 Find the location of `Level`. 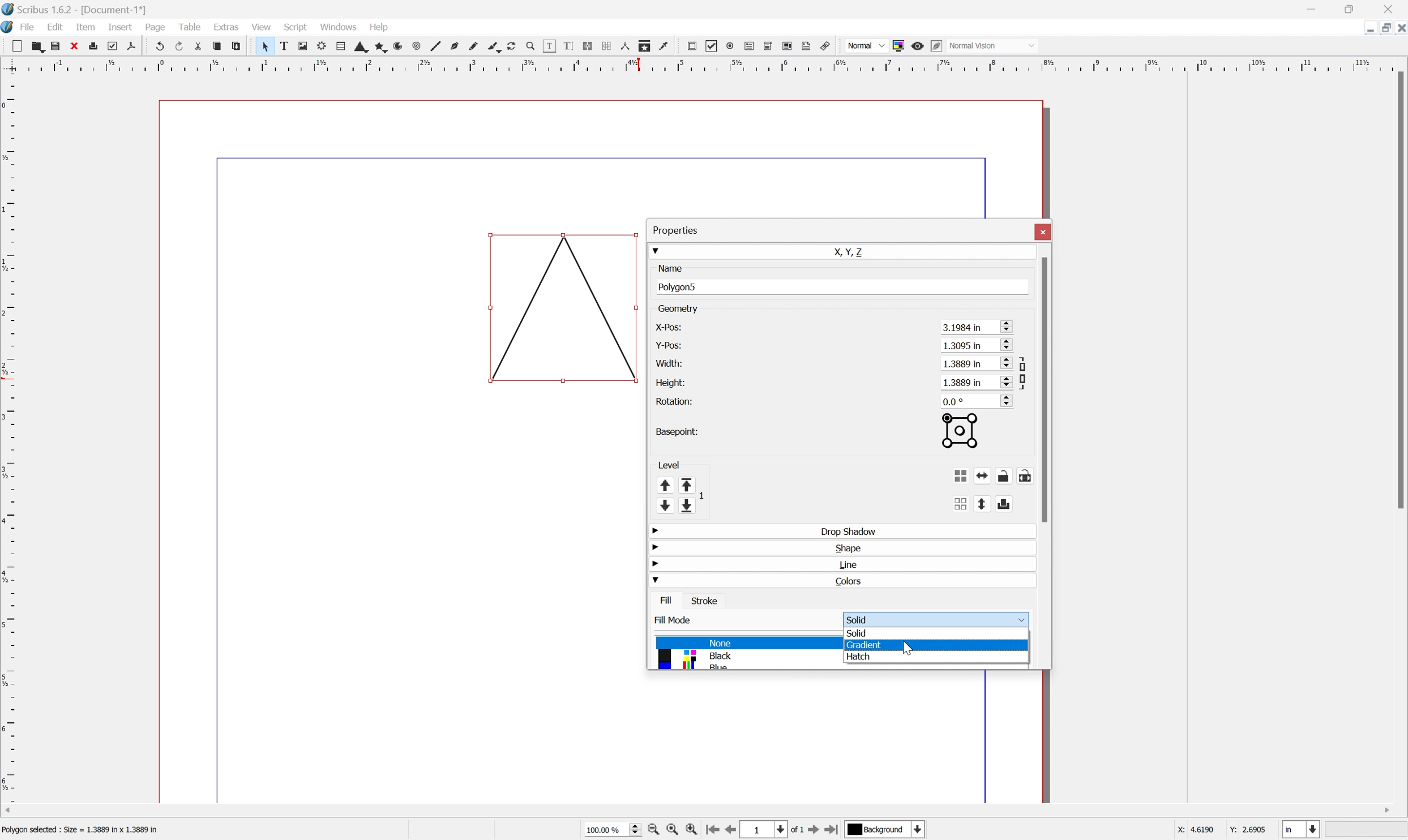

Level is located at coordinates (679, 494).